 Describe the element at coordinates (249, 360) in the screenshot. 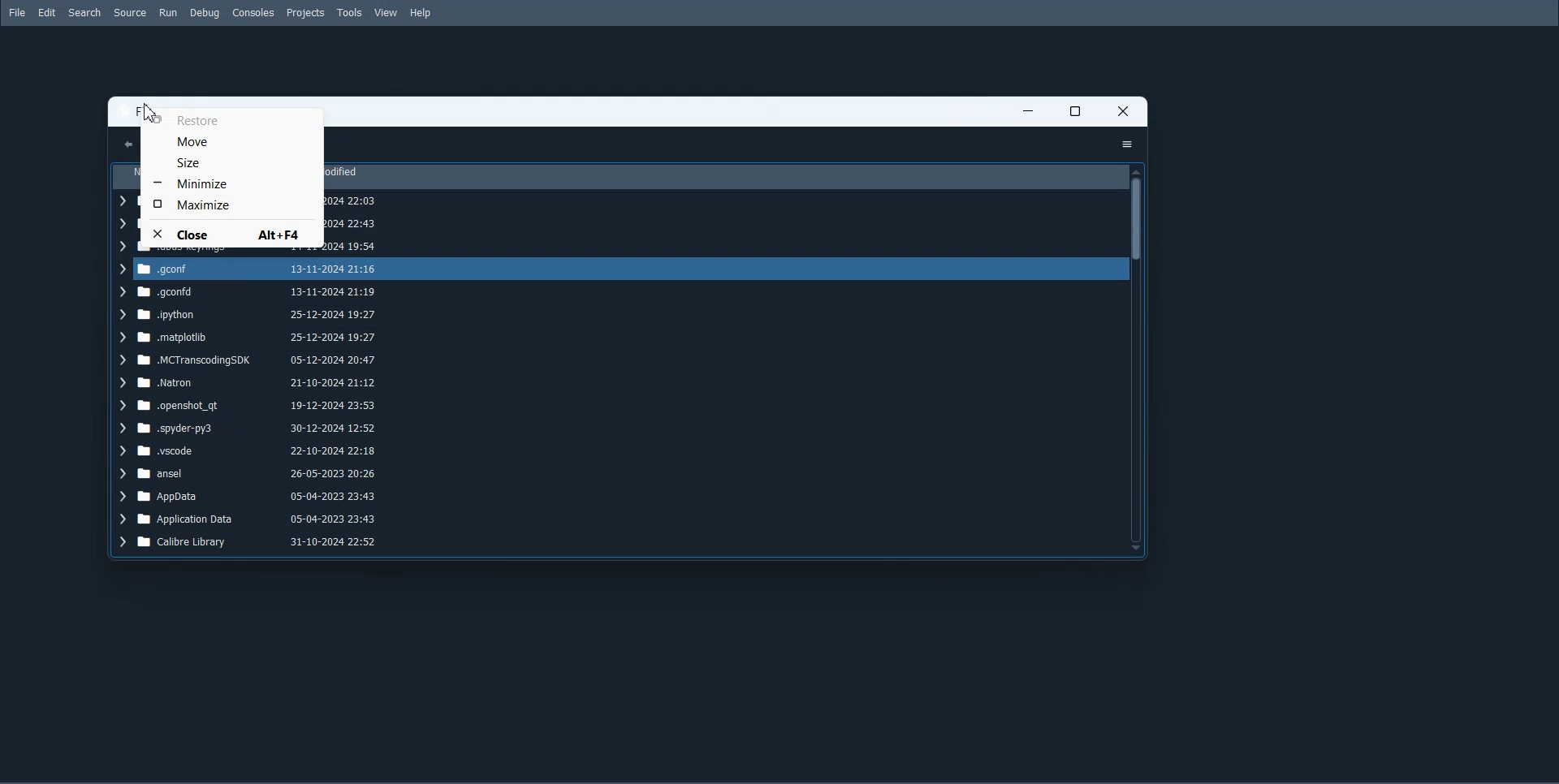

I see `MCTranscodingSDK 05-12-2024 20:47` at that location.